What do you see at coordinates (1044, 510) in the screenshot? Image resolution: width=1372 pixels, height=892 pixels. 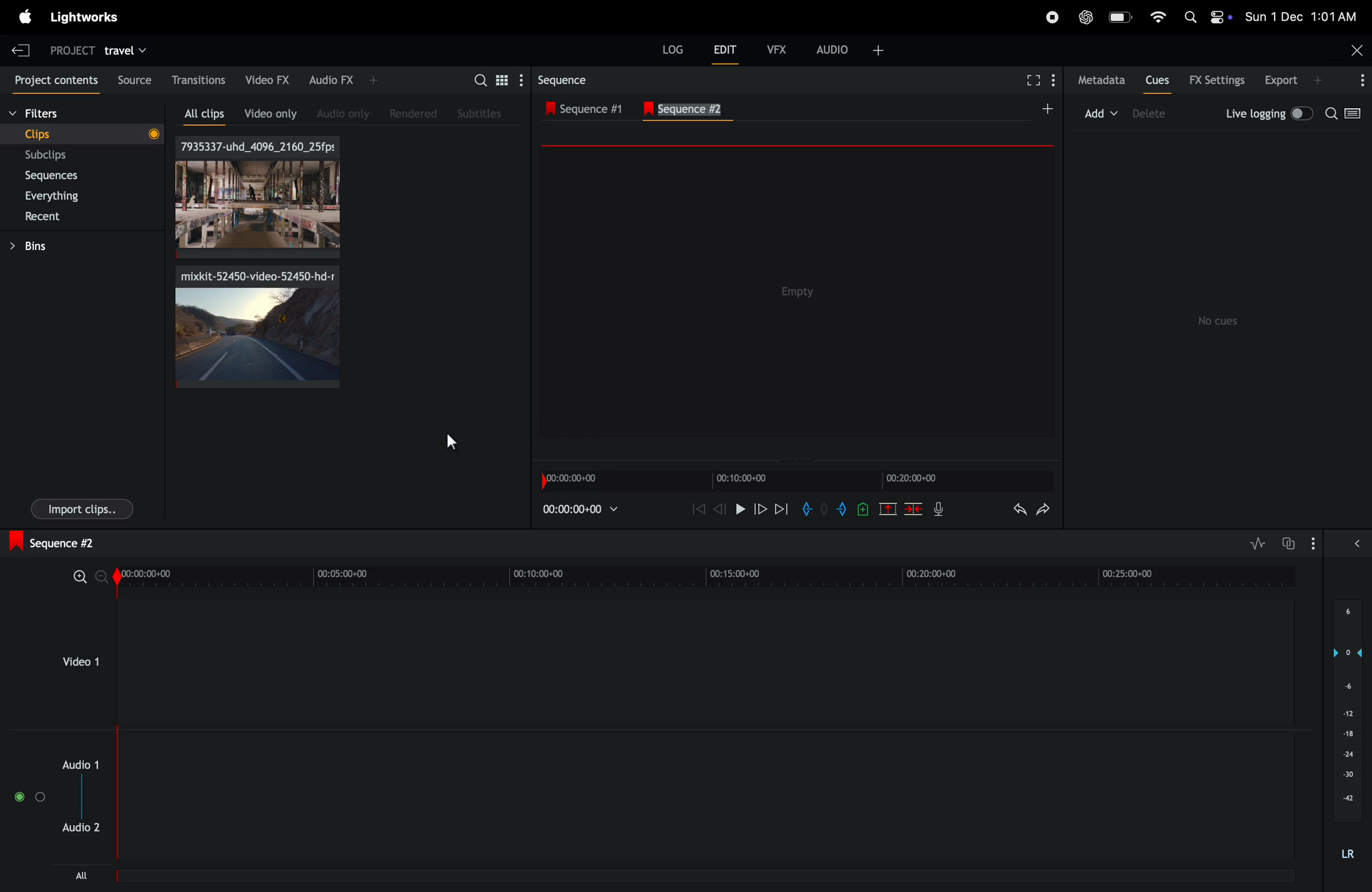 I see `redo` at bounding box center [1044, 510].